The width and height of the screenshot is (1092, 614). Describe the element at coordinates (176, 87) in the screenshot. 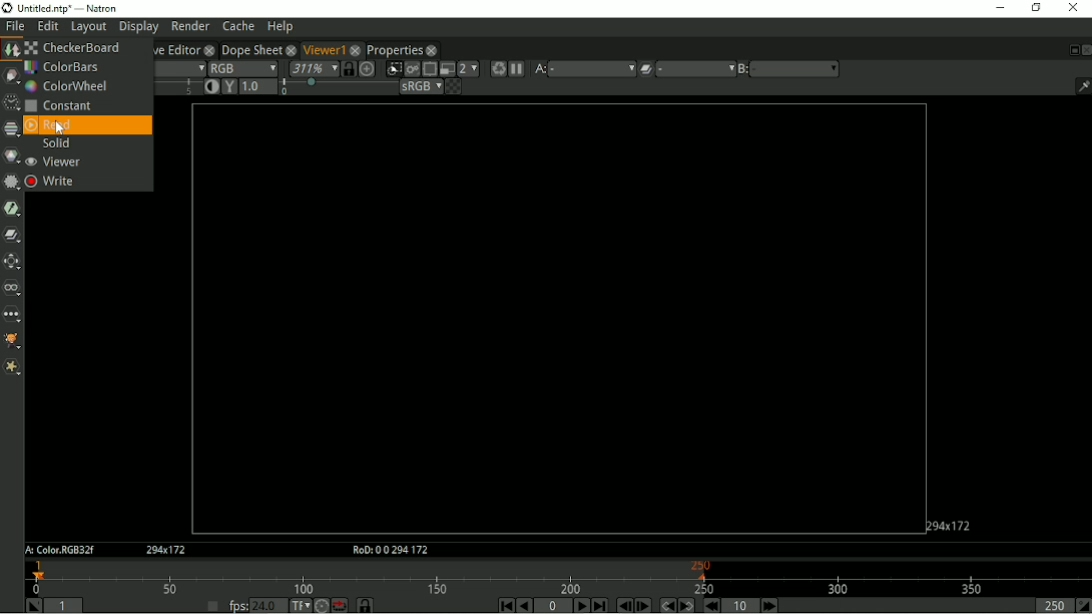

I see `selection bar` at that location.